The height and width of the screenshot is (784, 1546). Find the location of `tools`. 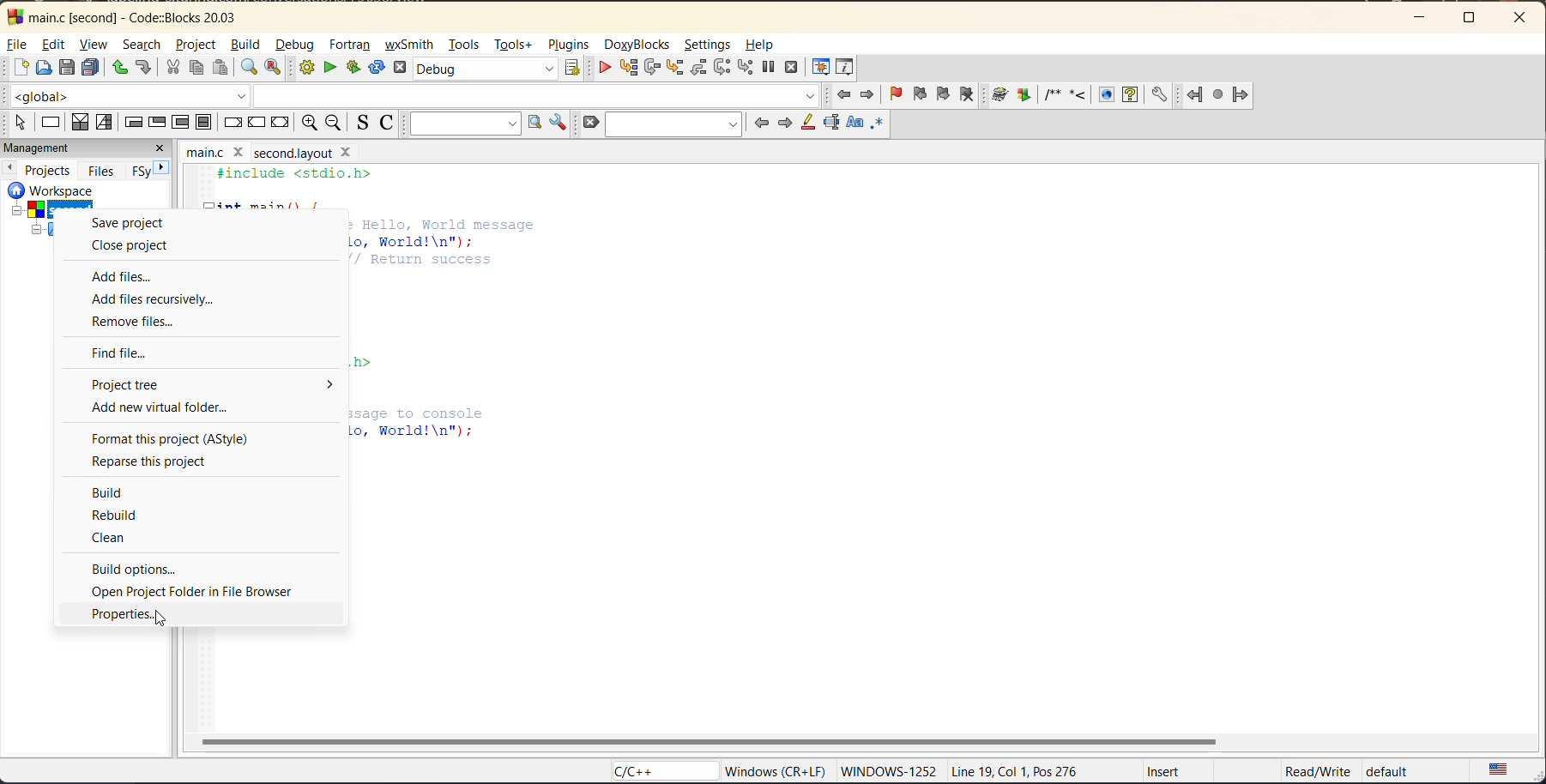

tools is located at coordinates (463, 46).